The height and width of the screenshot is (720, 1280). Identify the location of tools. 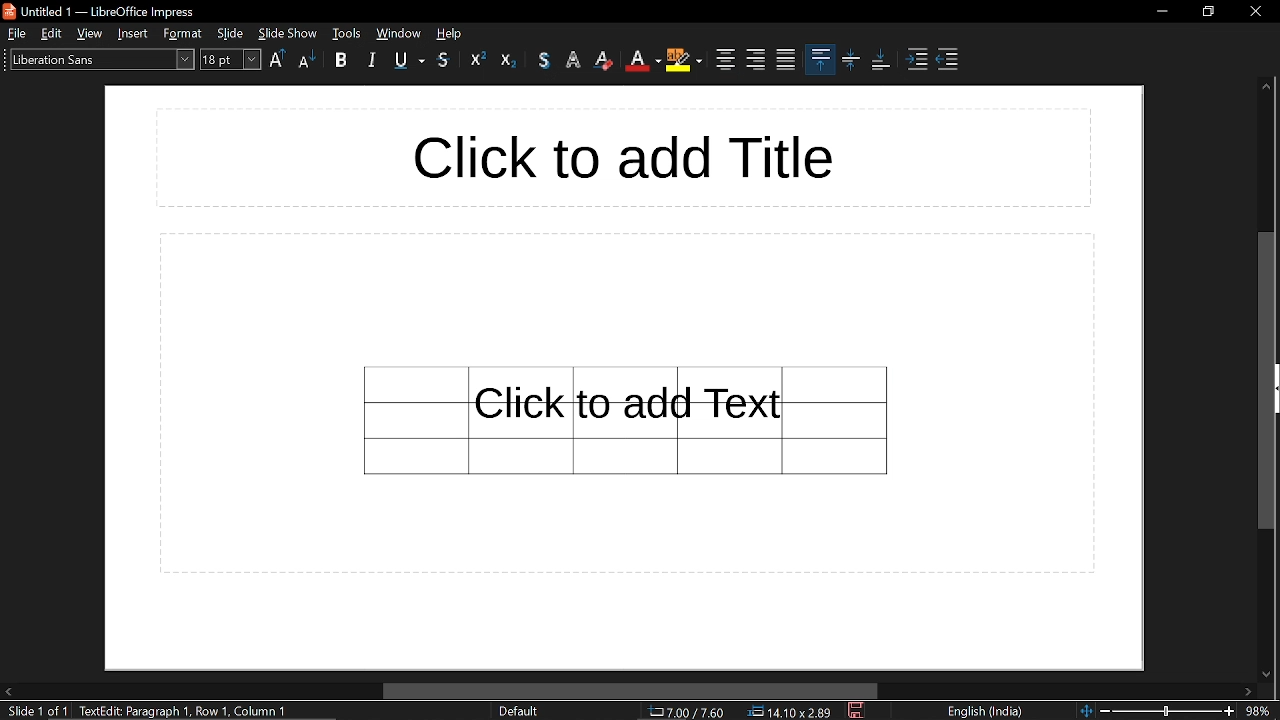
(398, 33).